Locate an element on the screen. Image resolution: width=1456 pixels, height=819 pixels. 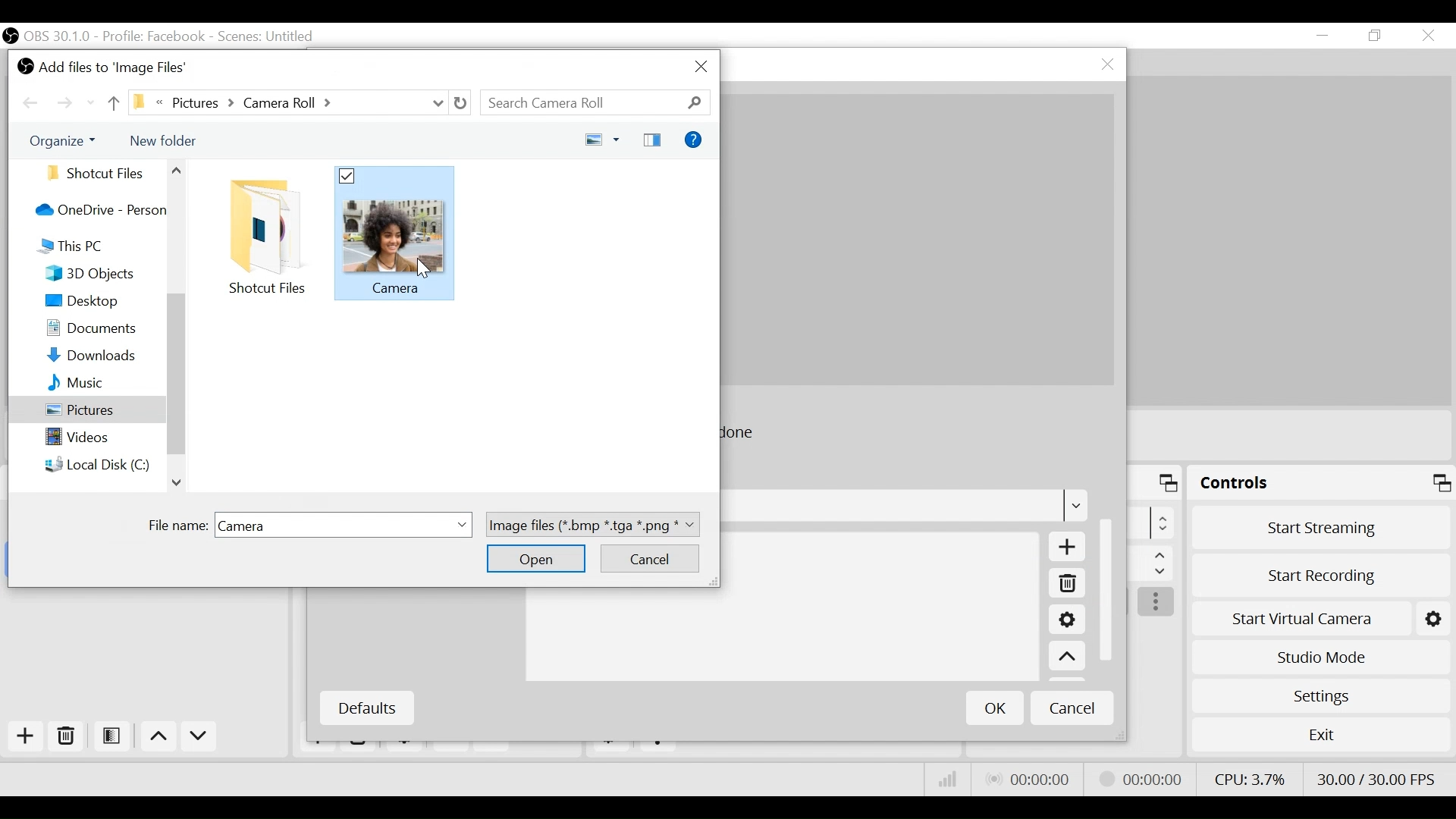
Folder is located at coordinates (101, 172).